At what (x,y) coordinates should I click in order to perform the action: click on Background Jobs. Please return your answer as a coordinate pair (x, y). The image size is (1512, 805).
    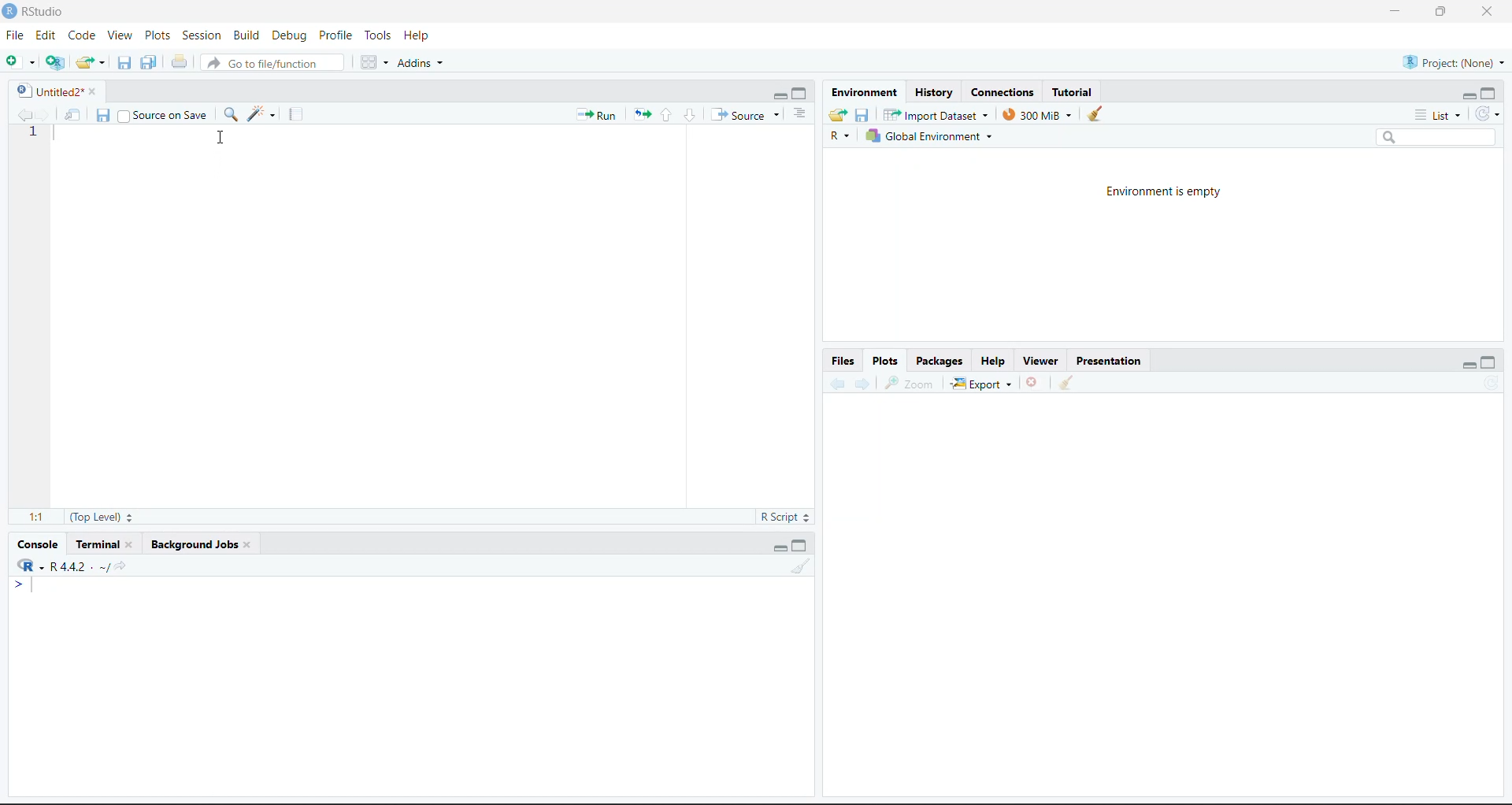
    Looking at the image, I should click on (202, 545).